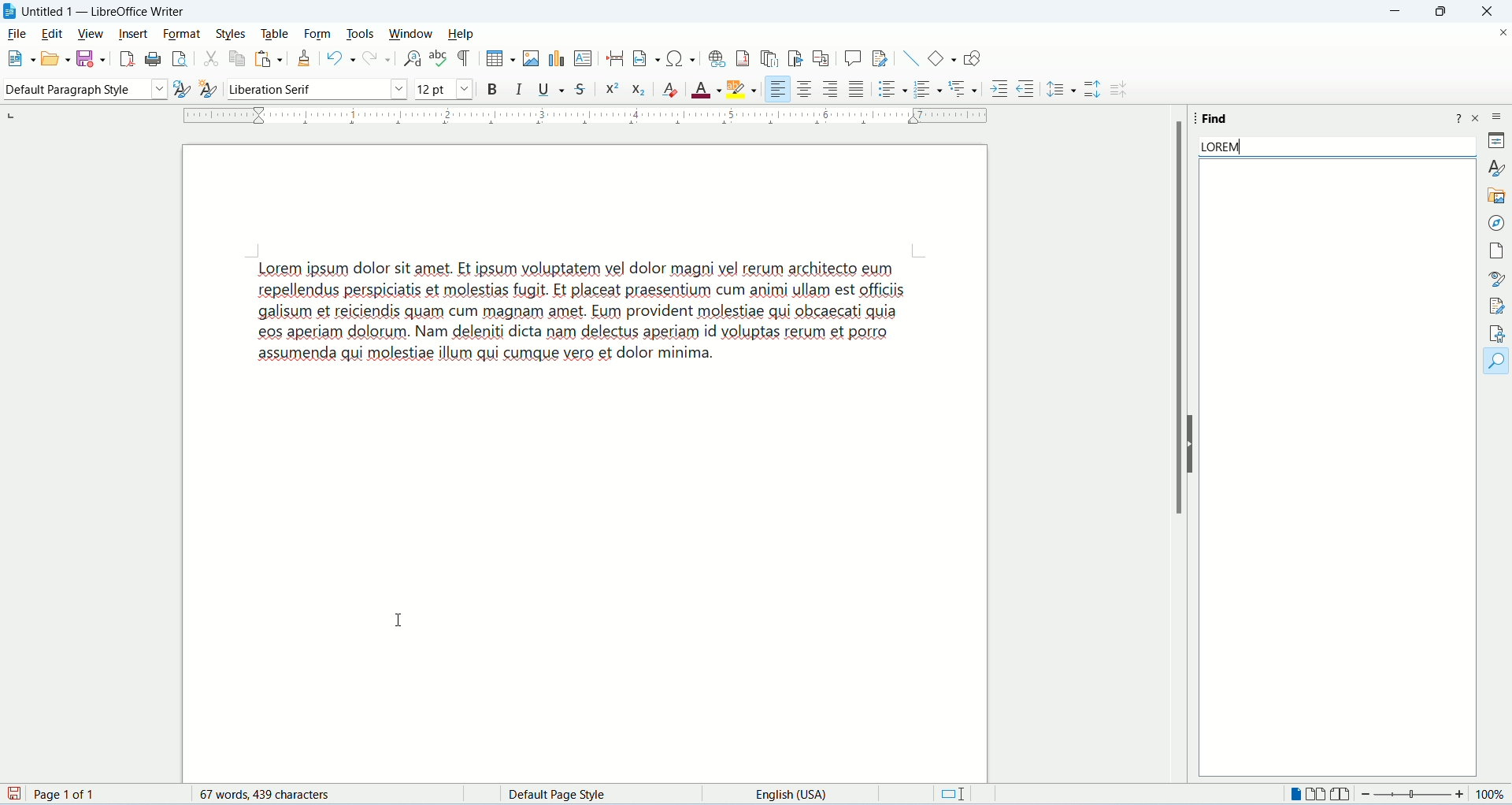 The image size is (1512, 805). Describe the element at coordinates (1094, 91) in the screenshot. I see `increase paragraph spacing` at that location.